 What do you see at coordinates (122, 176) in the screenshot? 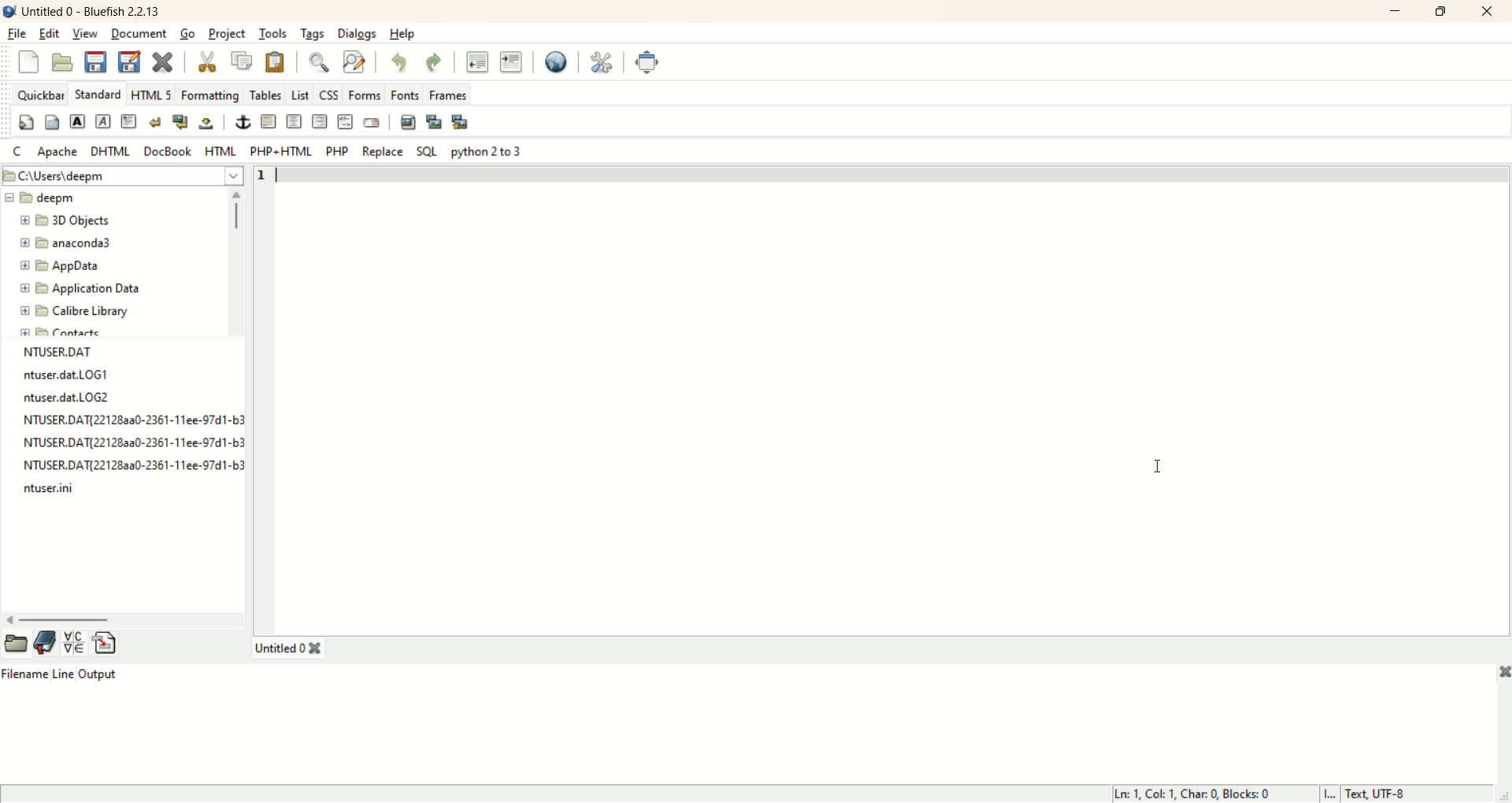
I see `location` at bounding box center [122, 176].